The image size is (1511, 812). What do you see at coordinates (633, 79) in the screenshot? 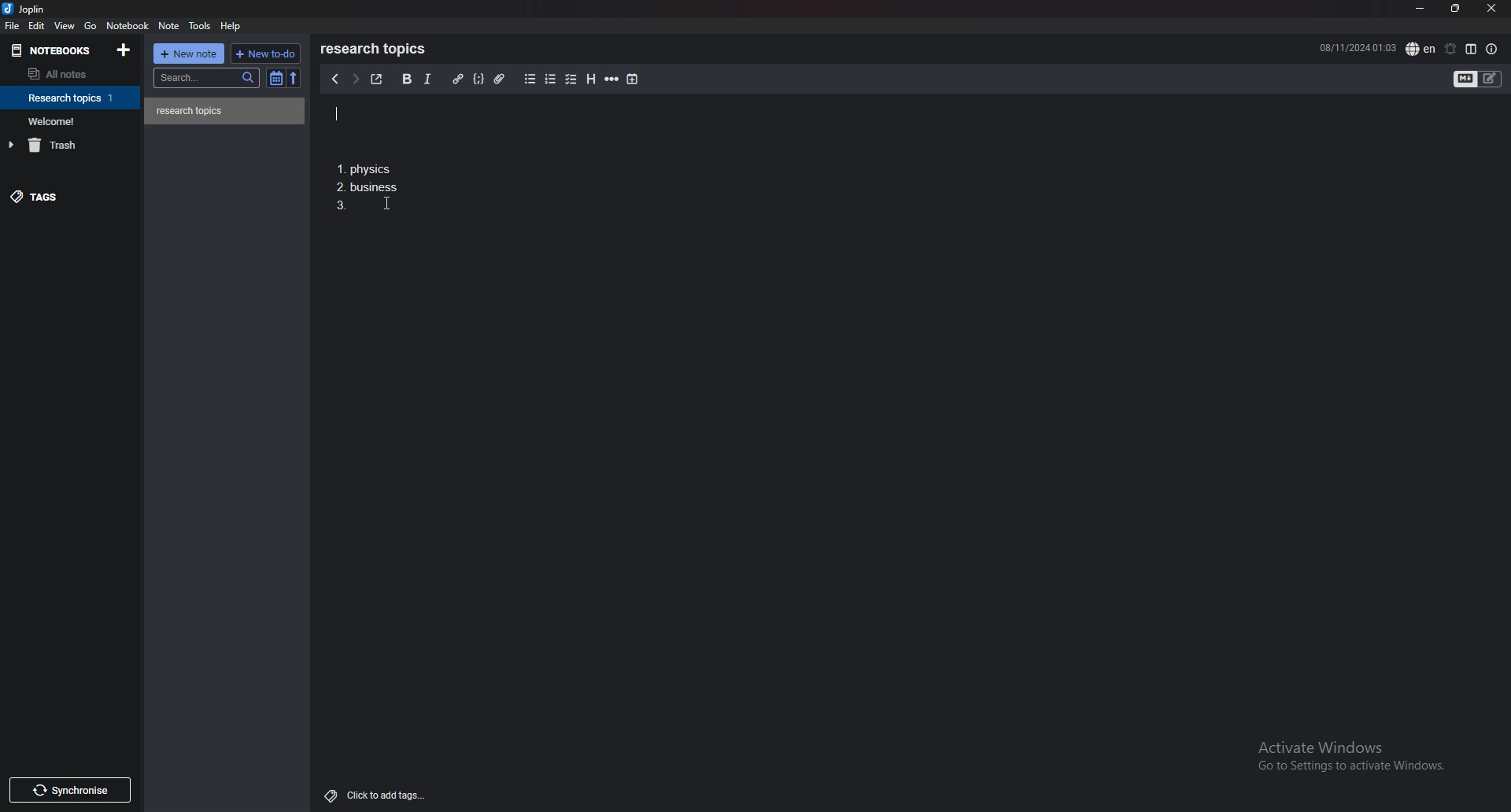
I see `add time` at bounding box center [633, 79].